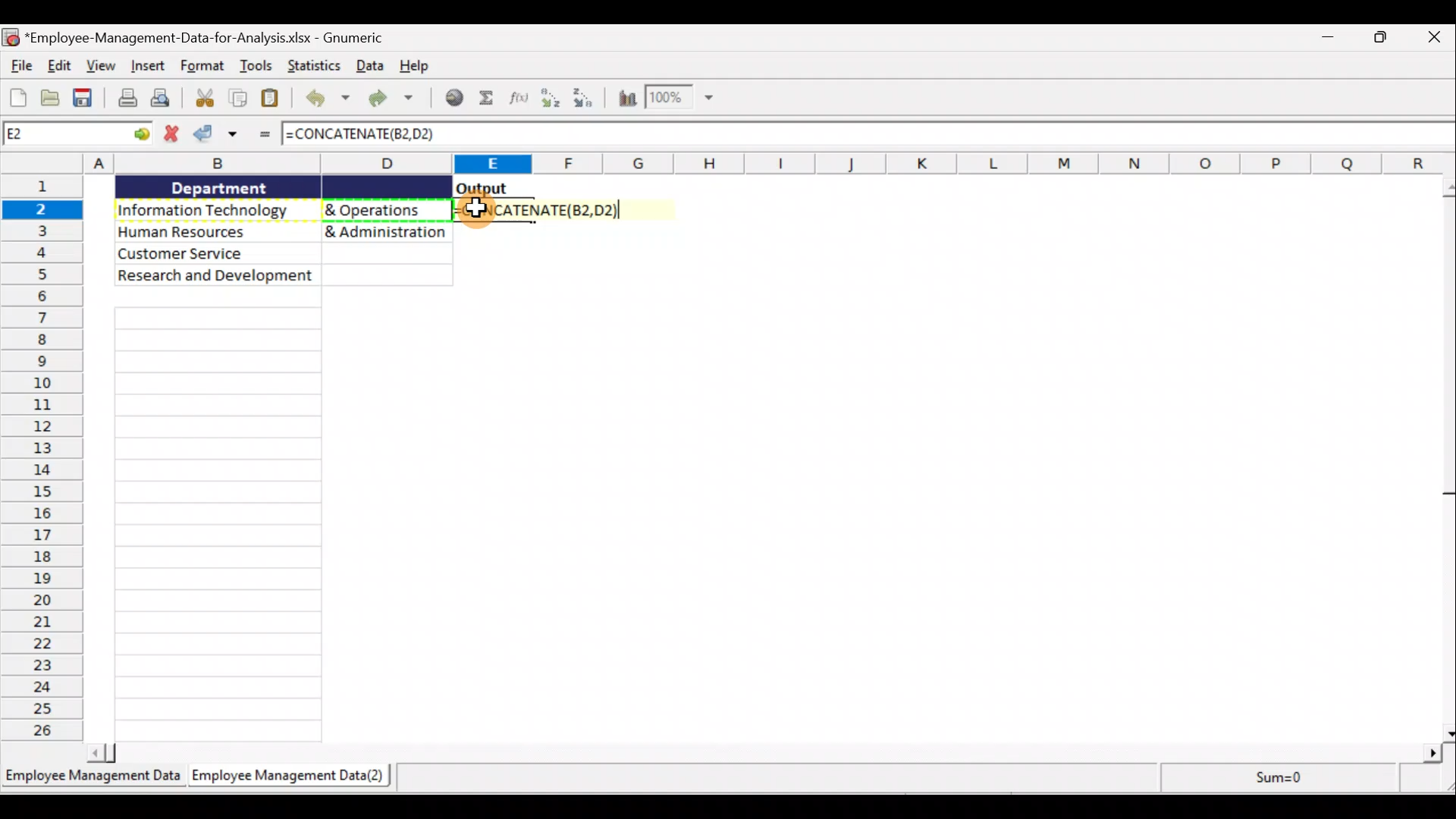  What do you see at coordinates (554, 212) in the screenshot?
I see `=CONCATENATE(B2,D2)` at bounding box center [554, 212].